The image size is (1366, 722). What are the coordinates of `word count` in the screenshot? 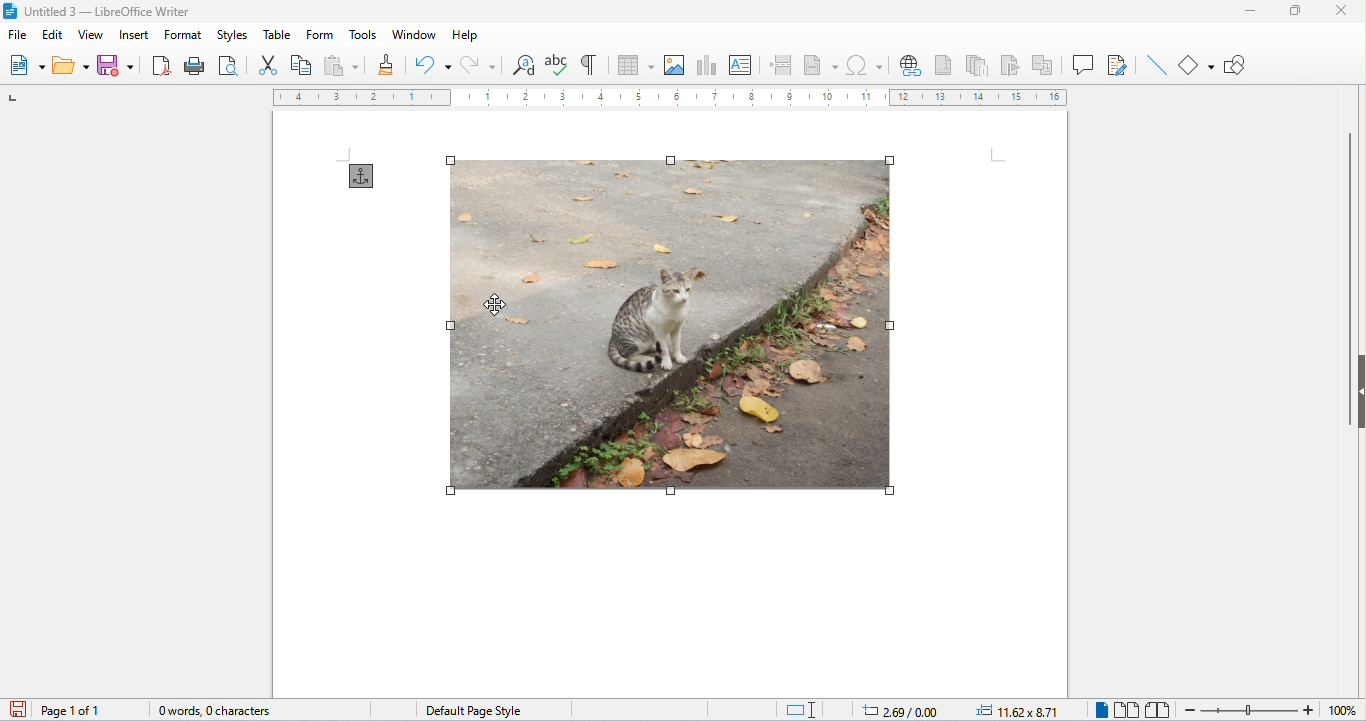 It's located at (207, 707).